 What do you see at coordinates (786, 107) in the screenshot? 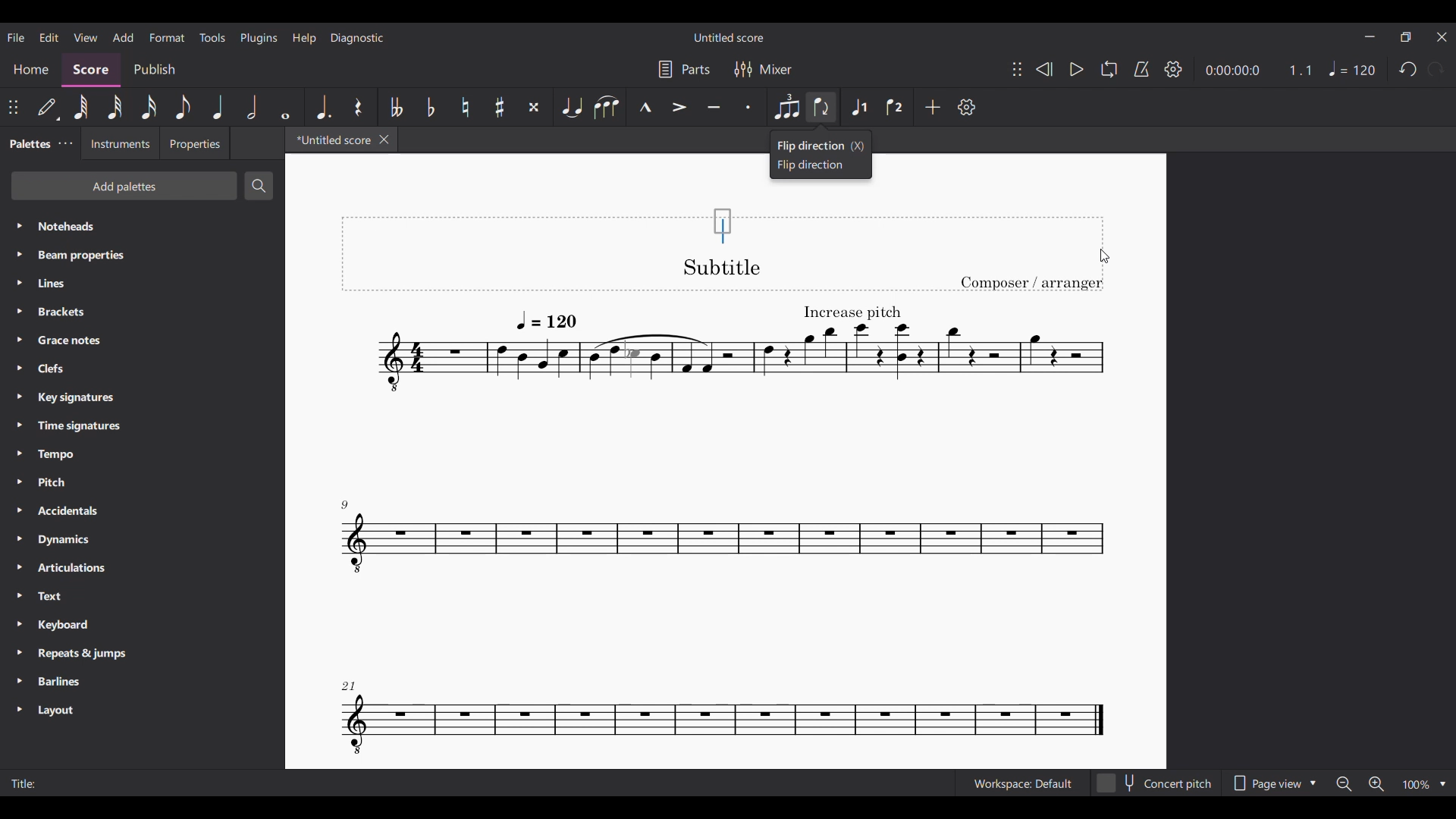
I see `Tuplet` at bounding box center [786, 107].